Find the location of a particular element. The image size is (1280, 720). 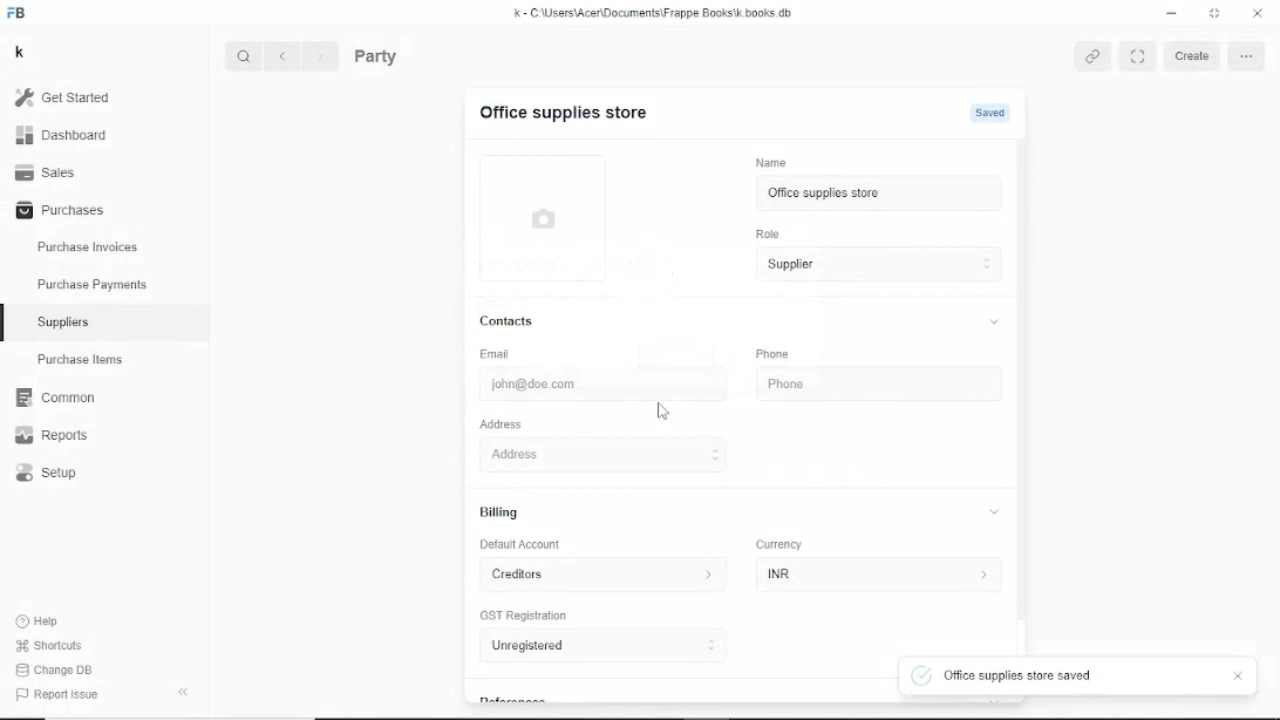

Common is located at coordinates (55, 398).